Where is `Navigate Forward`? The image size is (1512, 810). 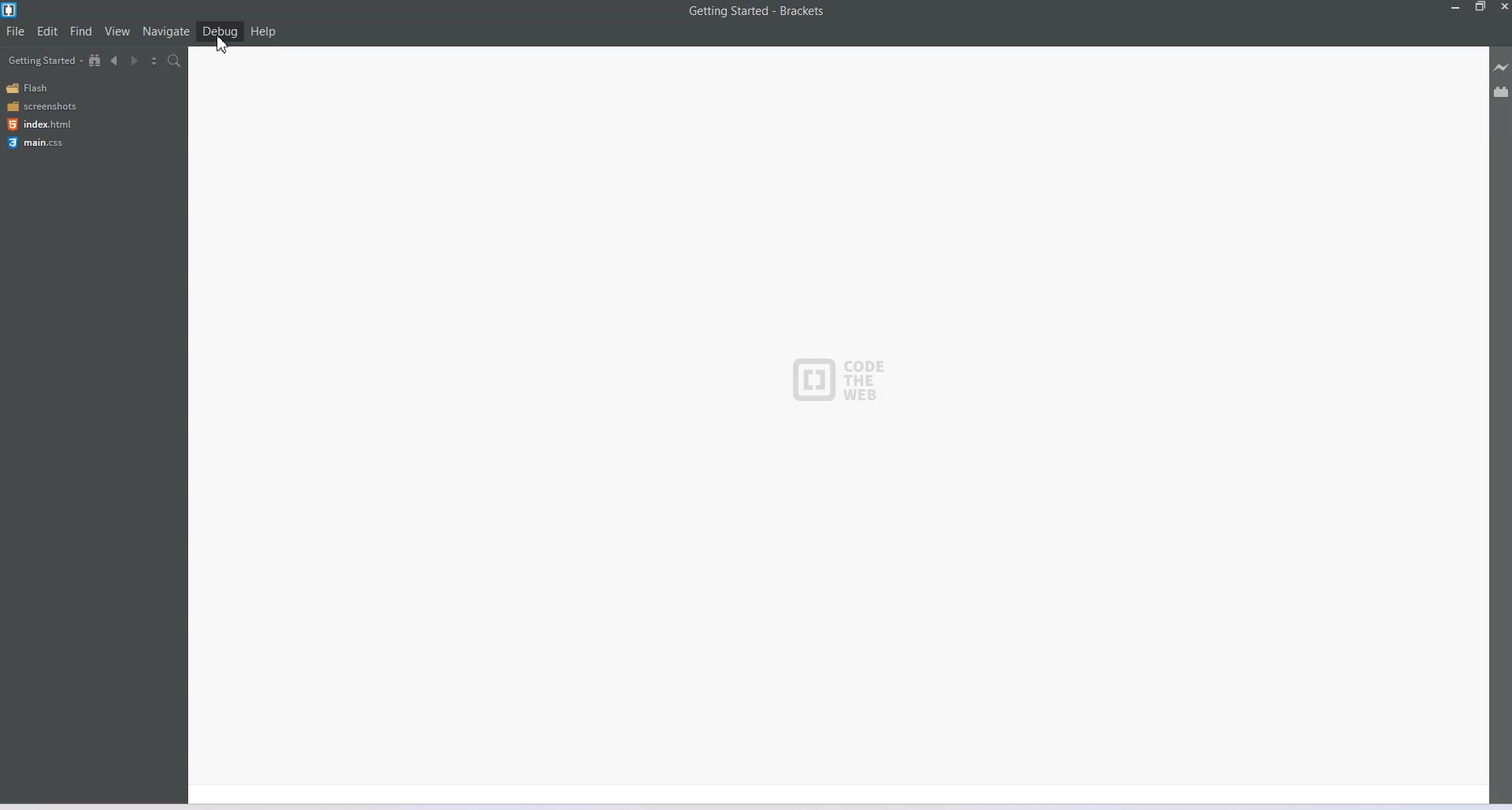
Navigate Forward is located at coordinates (136, 61).